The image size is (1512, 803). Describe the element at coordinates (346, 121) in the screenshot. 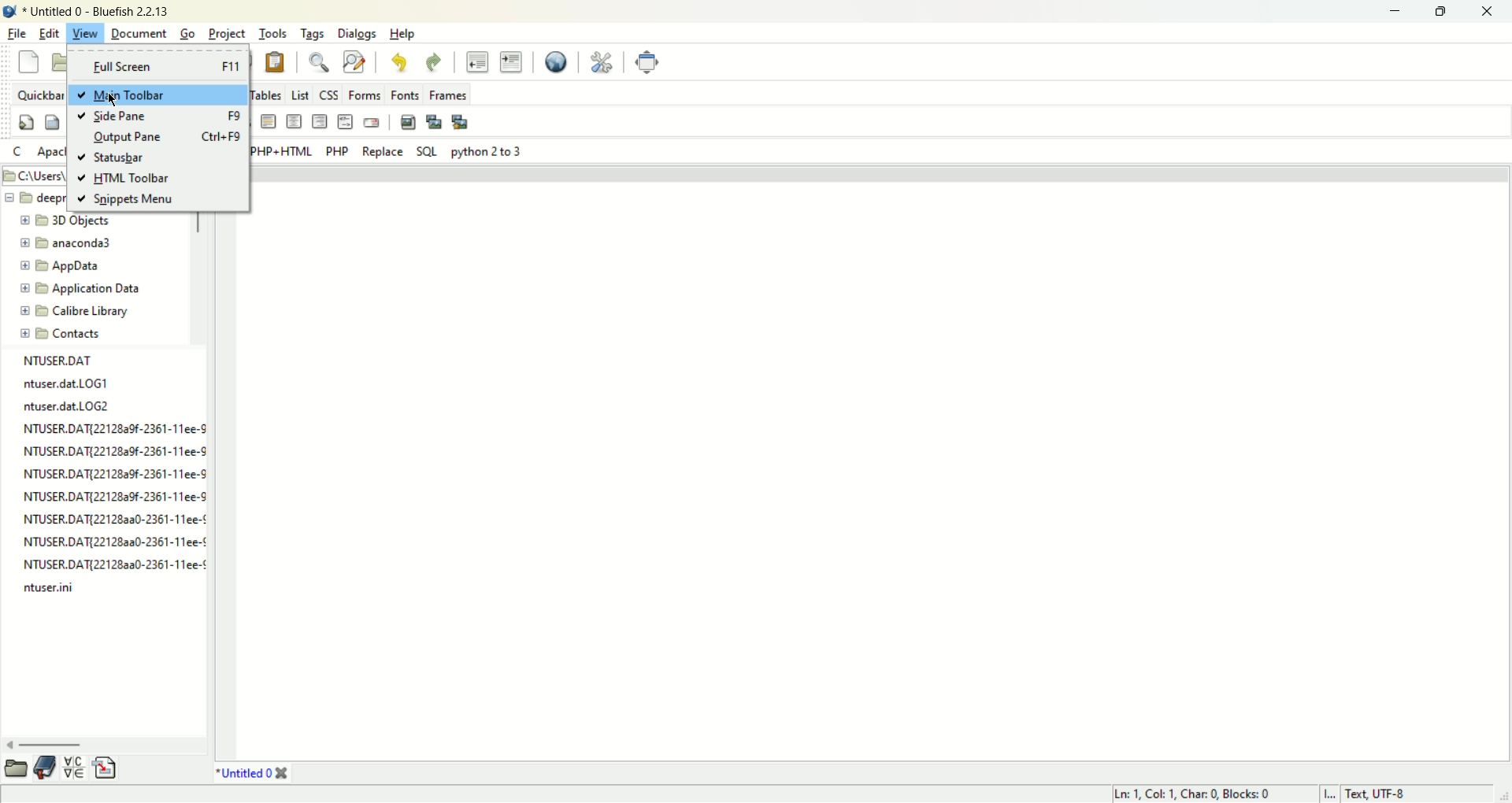

I see `HTML Comment` at that location.